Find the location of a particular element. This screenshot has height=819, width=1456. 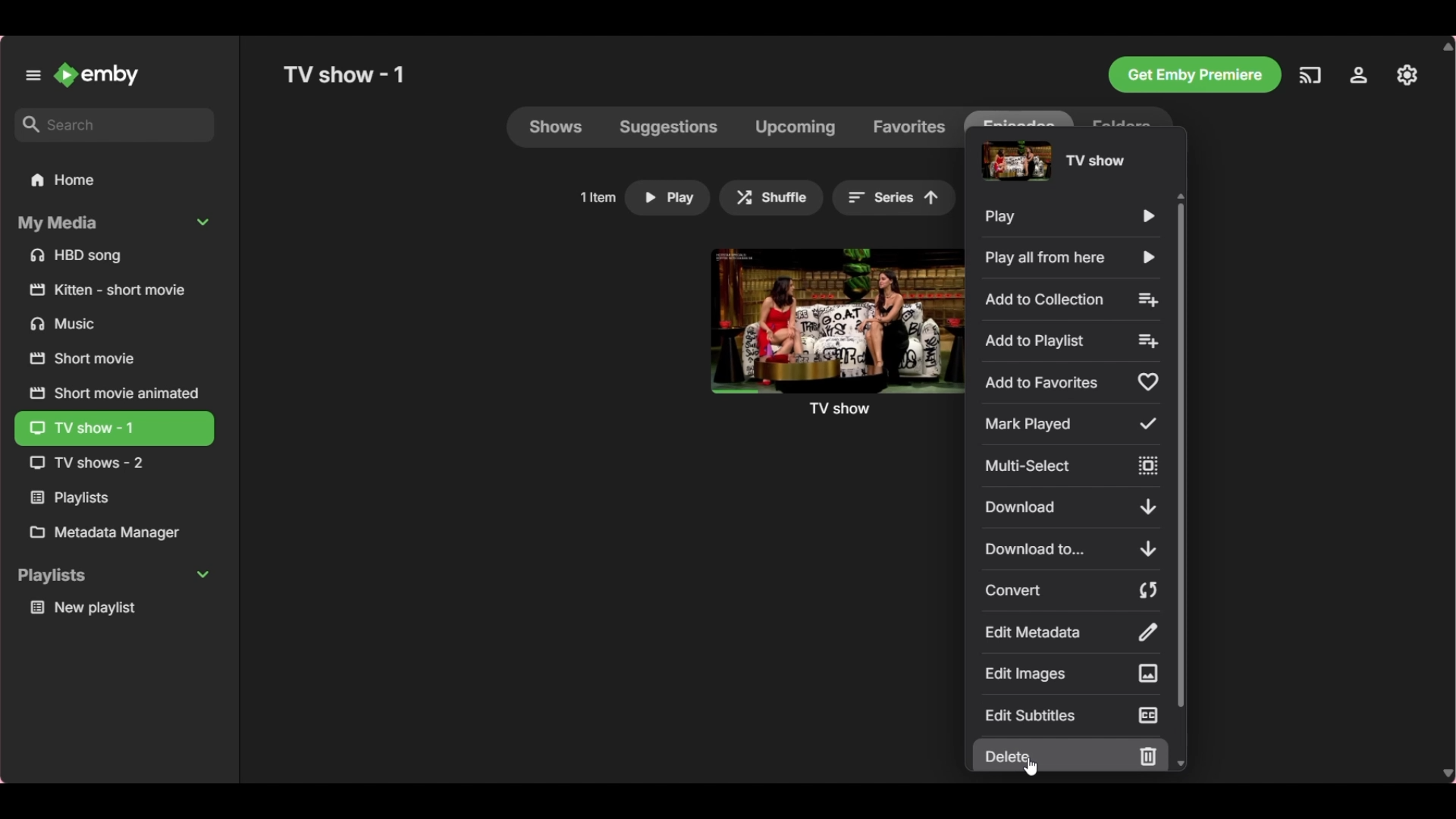

Collapse Playlists is located at coordinates (114, 577).